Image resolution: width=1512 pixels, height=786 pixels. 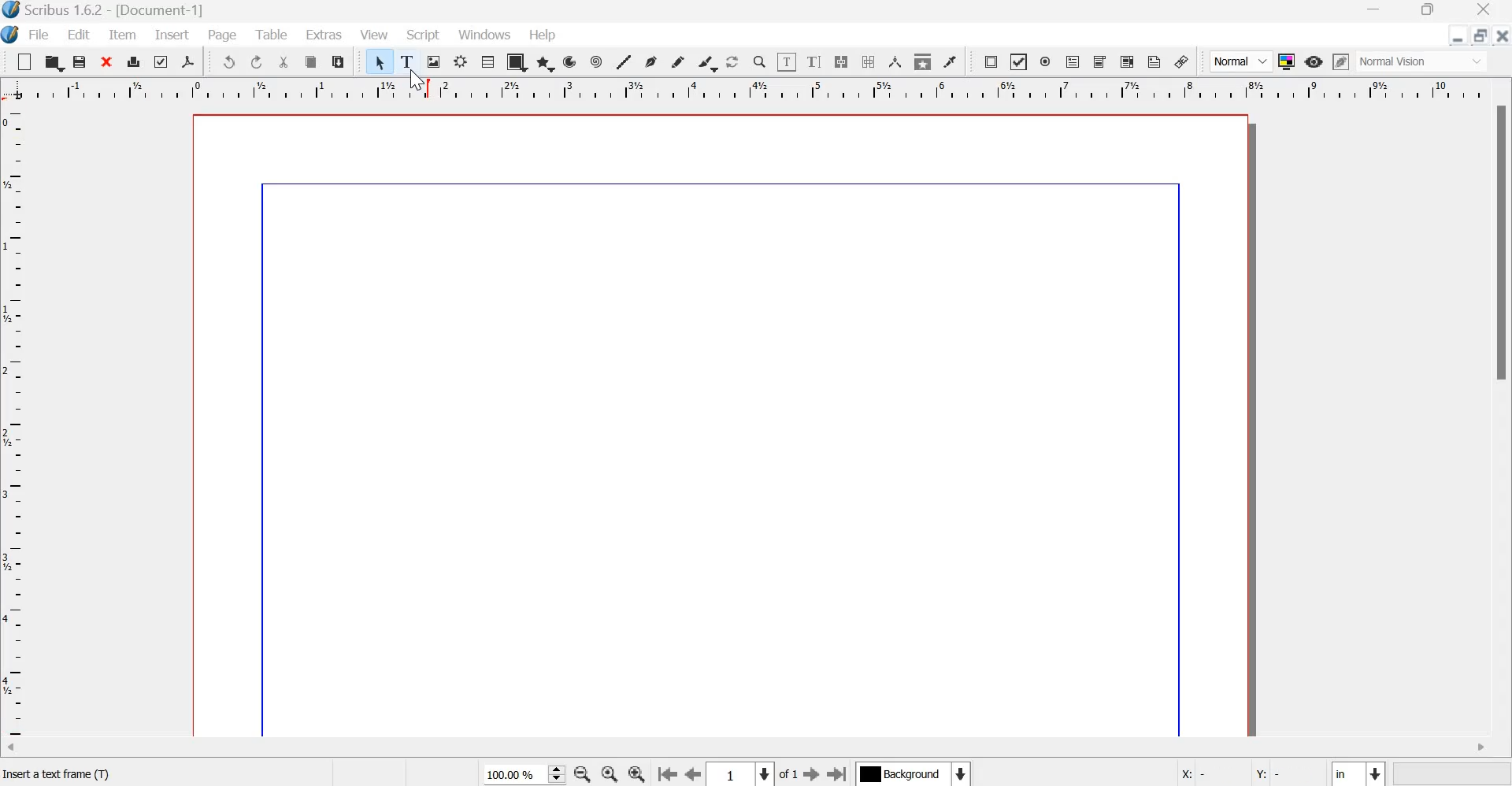 I want to click on File, so click(x=37, y=35).